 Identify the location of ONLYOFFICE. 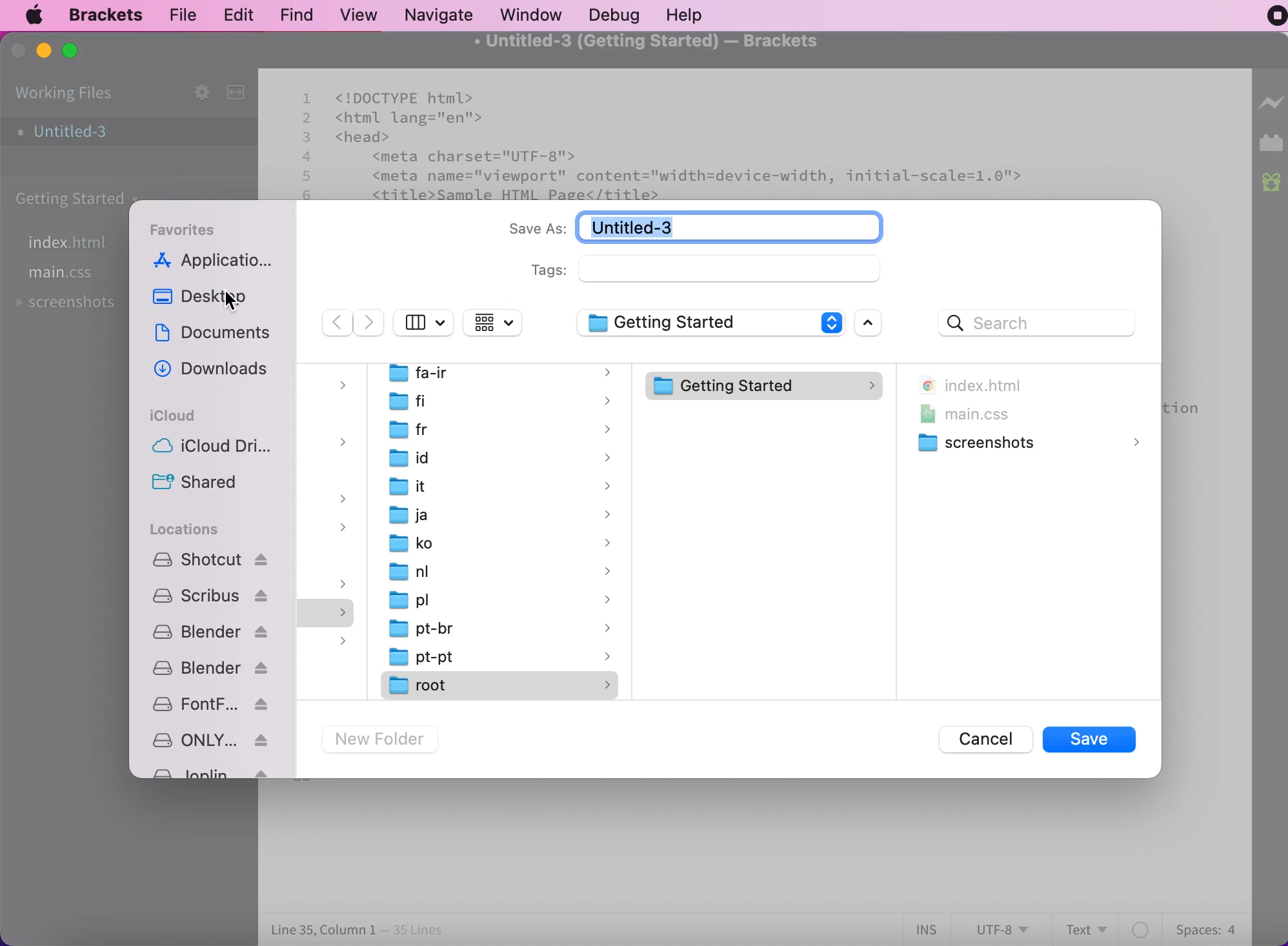
(210, 740).